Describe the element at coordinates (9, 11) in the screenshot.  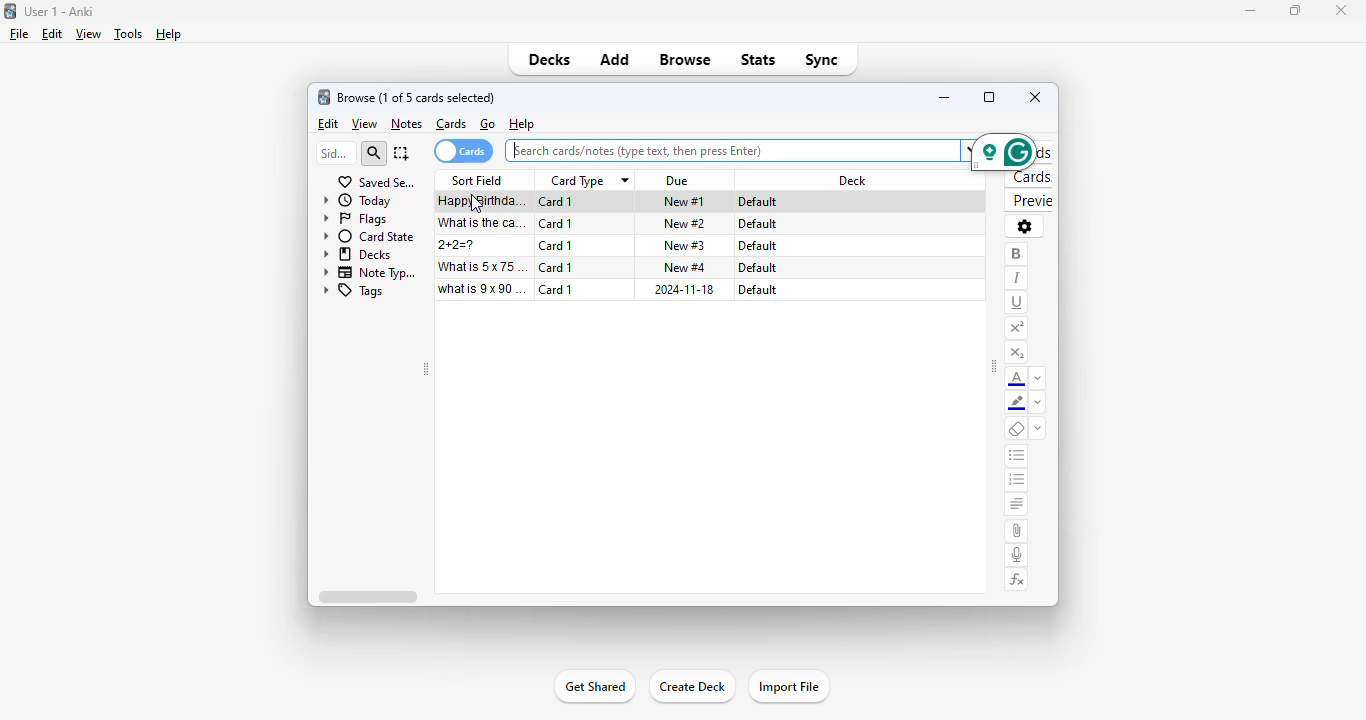
I see `logo` at that location.